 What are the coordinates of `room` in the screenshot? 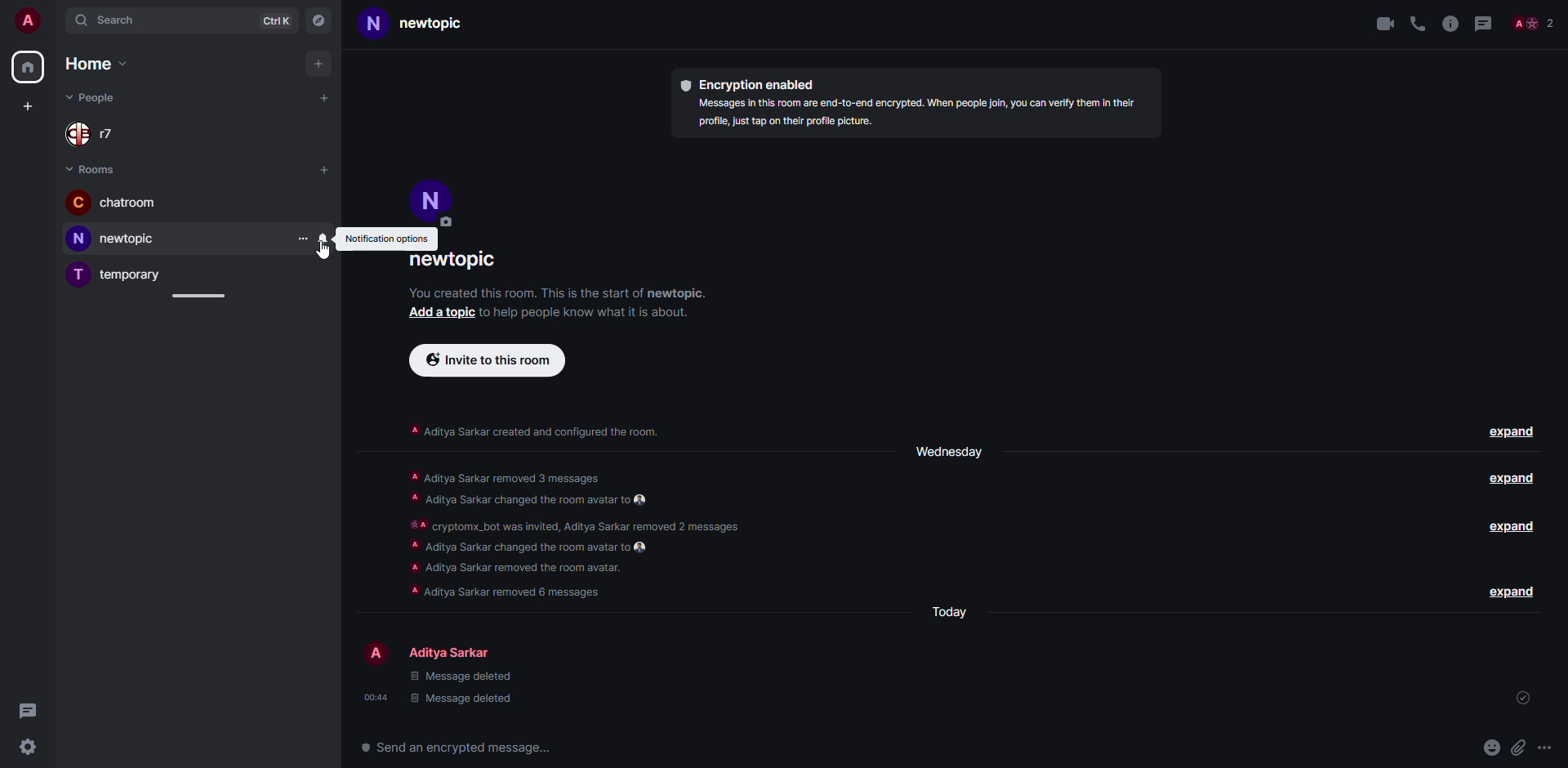 It's located at (114, 238).